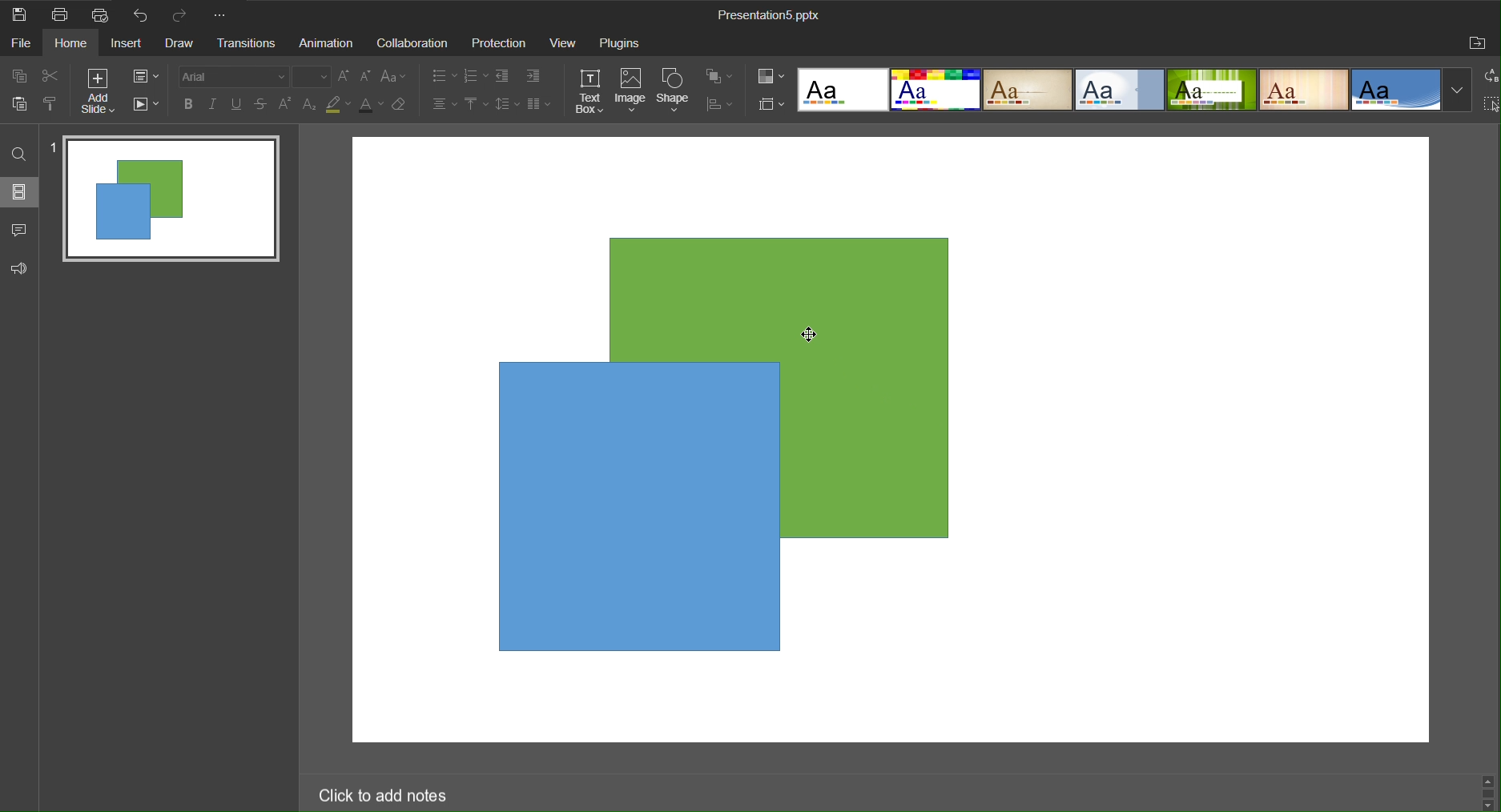 This screenshot has width=1501, height=812. What do you see at coordinates (535, 74) in the screenshot?
I see `increase indent` at bounding box center [535, 74].